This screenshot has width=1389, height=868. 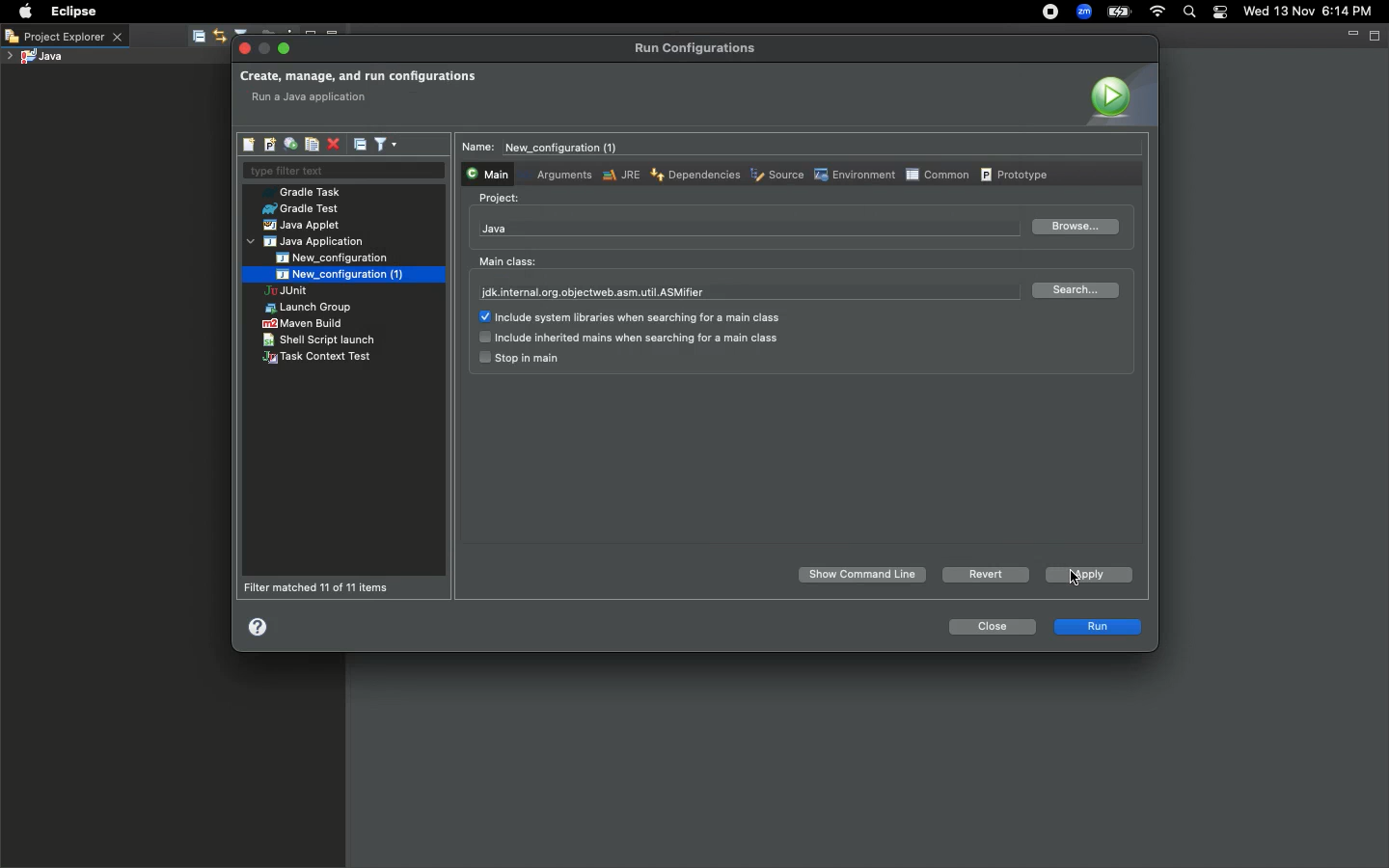 I want to click on Maximize, so click(x=1376, y=35).